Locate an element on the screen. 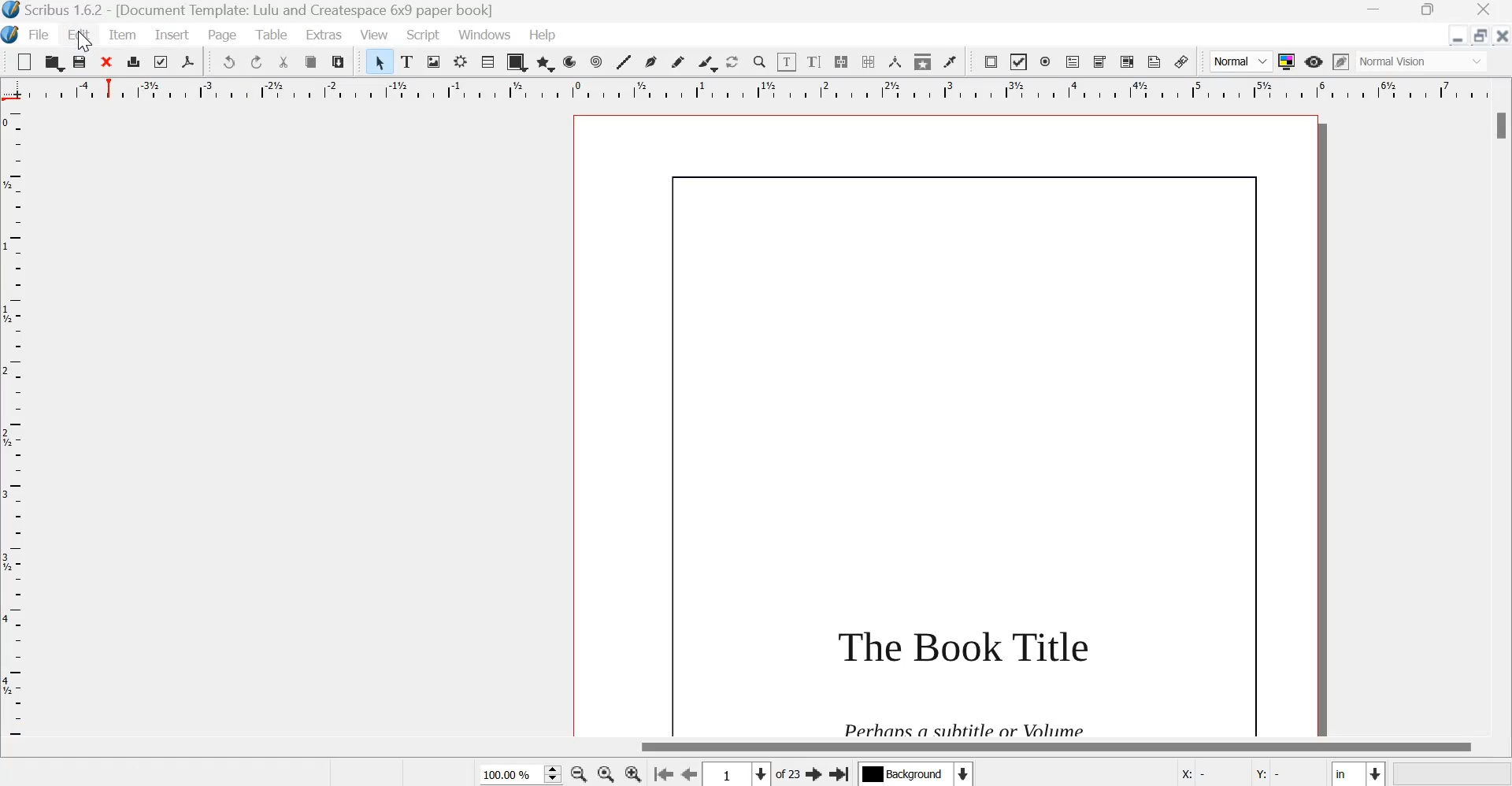 Image resolution: width=1512 pixels, height=786 pixels. PDF combo box is located at coordinates (1099, 62).